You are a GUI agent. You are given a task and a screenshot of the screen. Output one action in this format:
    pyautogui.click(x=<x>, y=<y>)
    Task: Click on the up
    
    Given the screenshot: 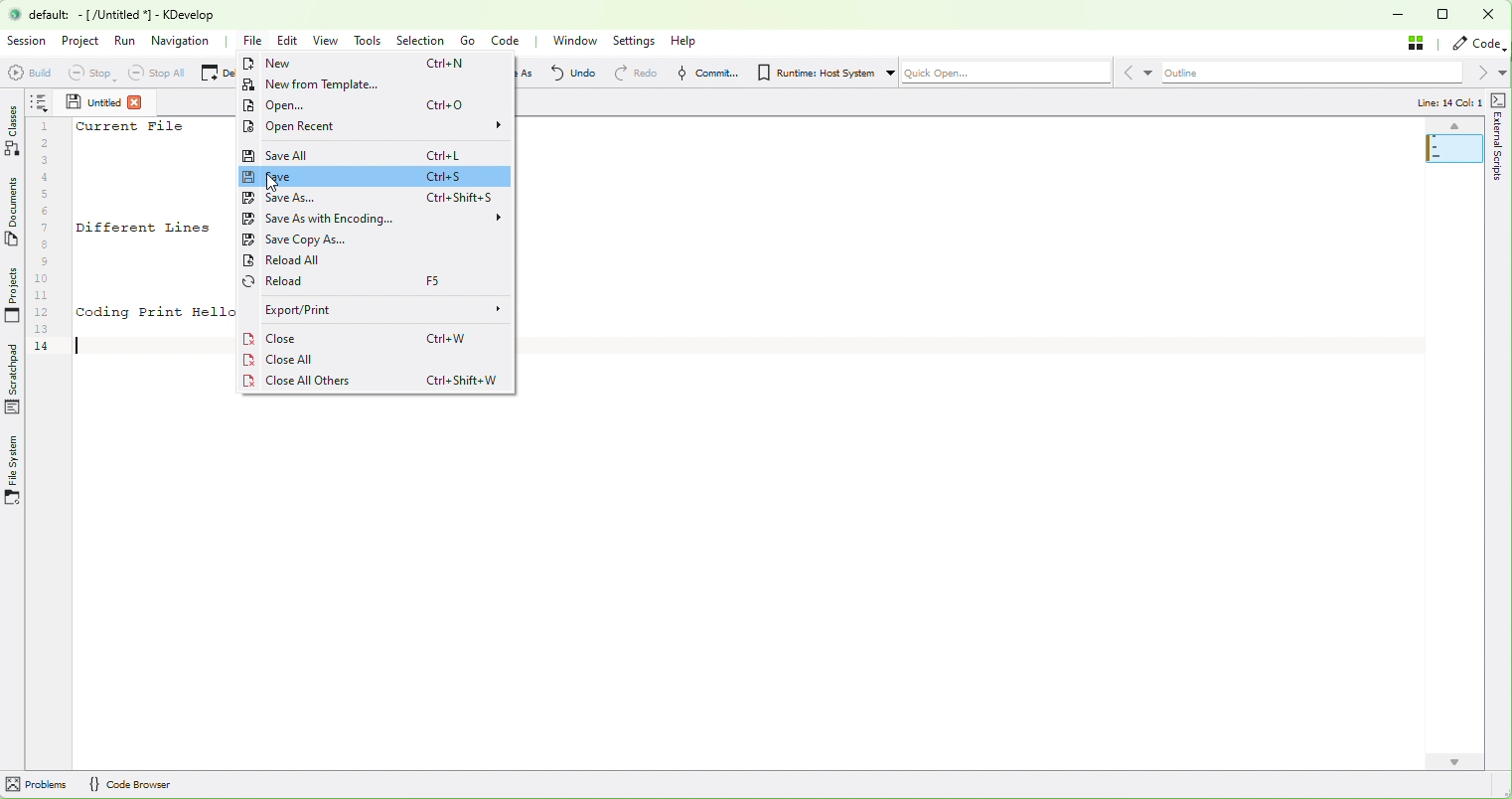 What is the action you would take?
    pyautogui.click(x=1453, y=126)
    